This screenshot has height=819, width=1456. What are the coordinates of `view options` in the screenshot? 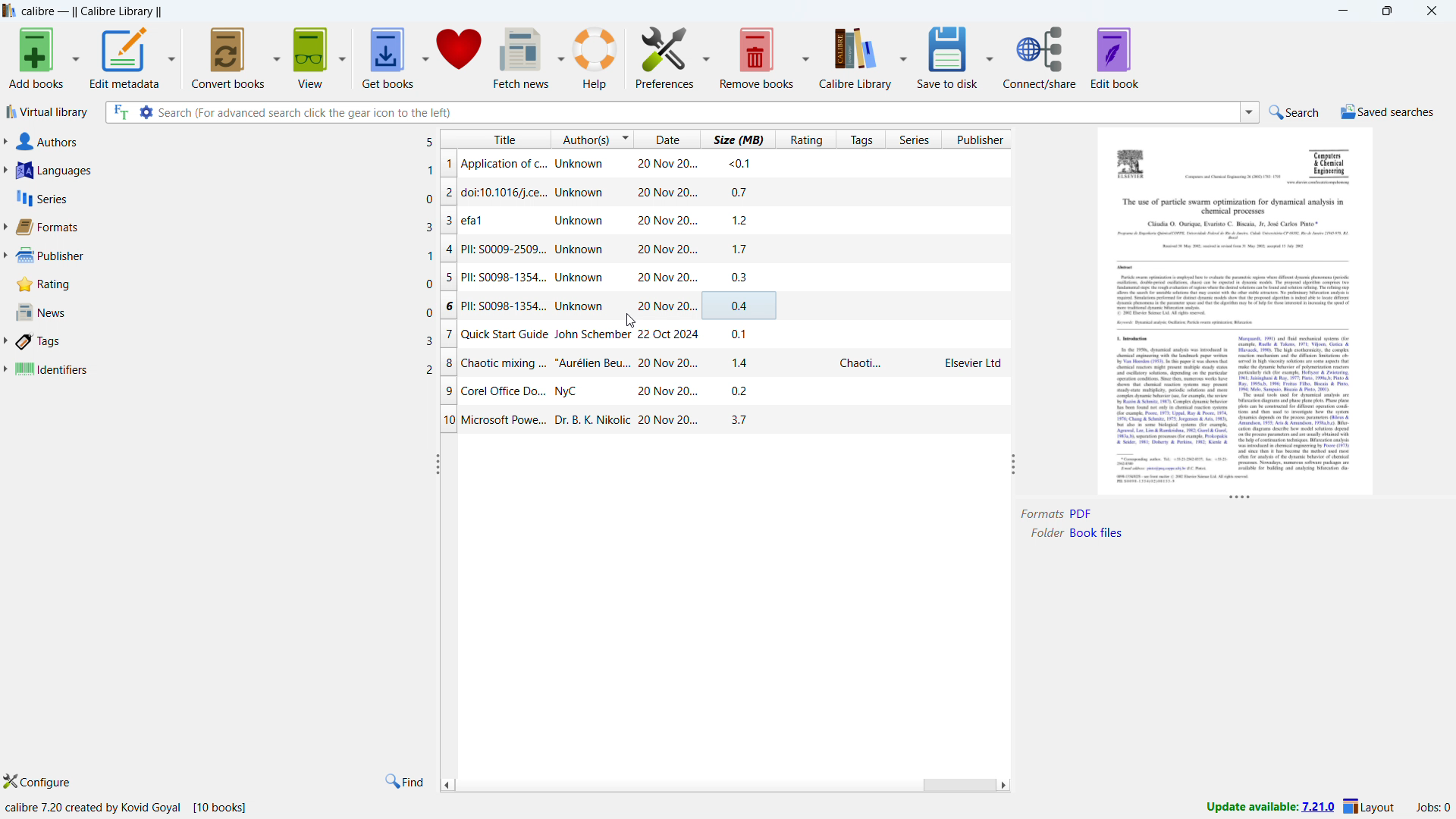 It's located at (343, 55).